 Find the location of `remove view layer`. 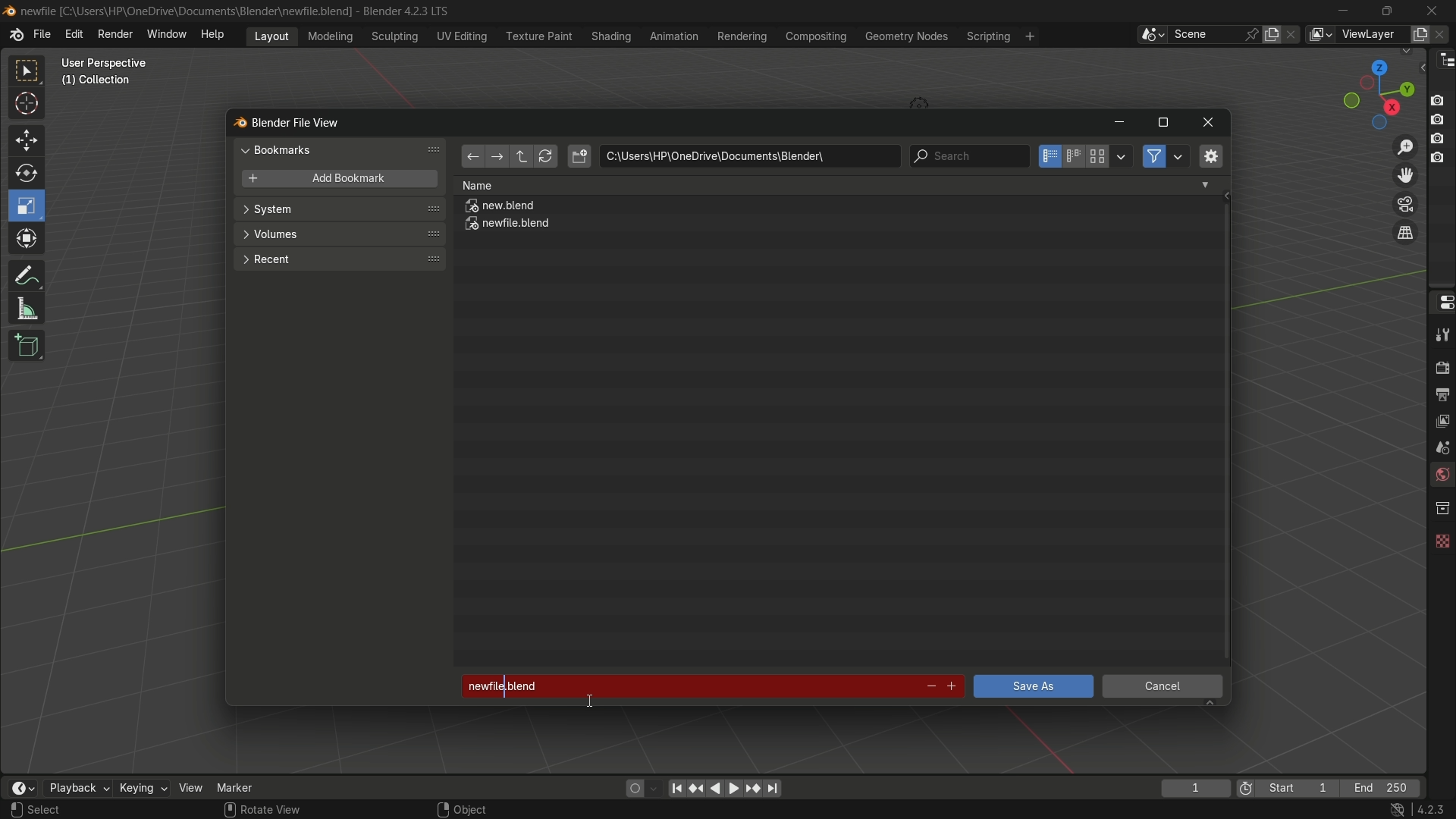

remove view layer is located at coordinates (1443, 33).